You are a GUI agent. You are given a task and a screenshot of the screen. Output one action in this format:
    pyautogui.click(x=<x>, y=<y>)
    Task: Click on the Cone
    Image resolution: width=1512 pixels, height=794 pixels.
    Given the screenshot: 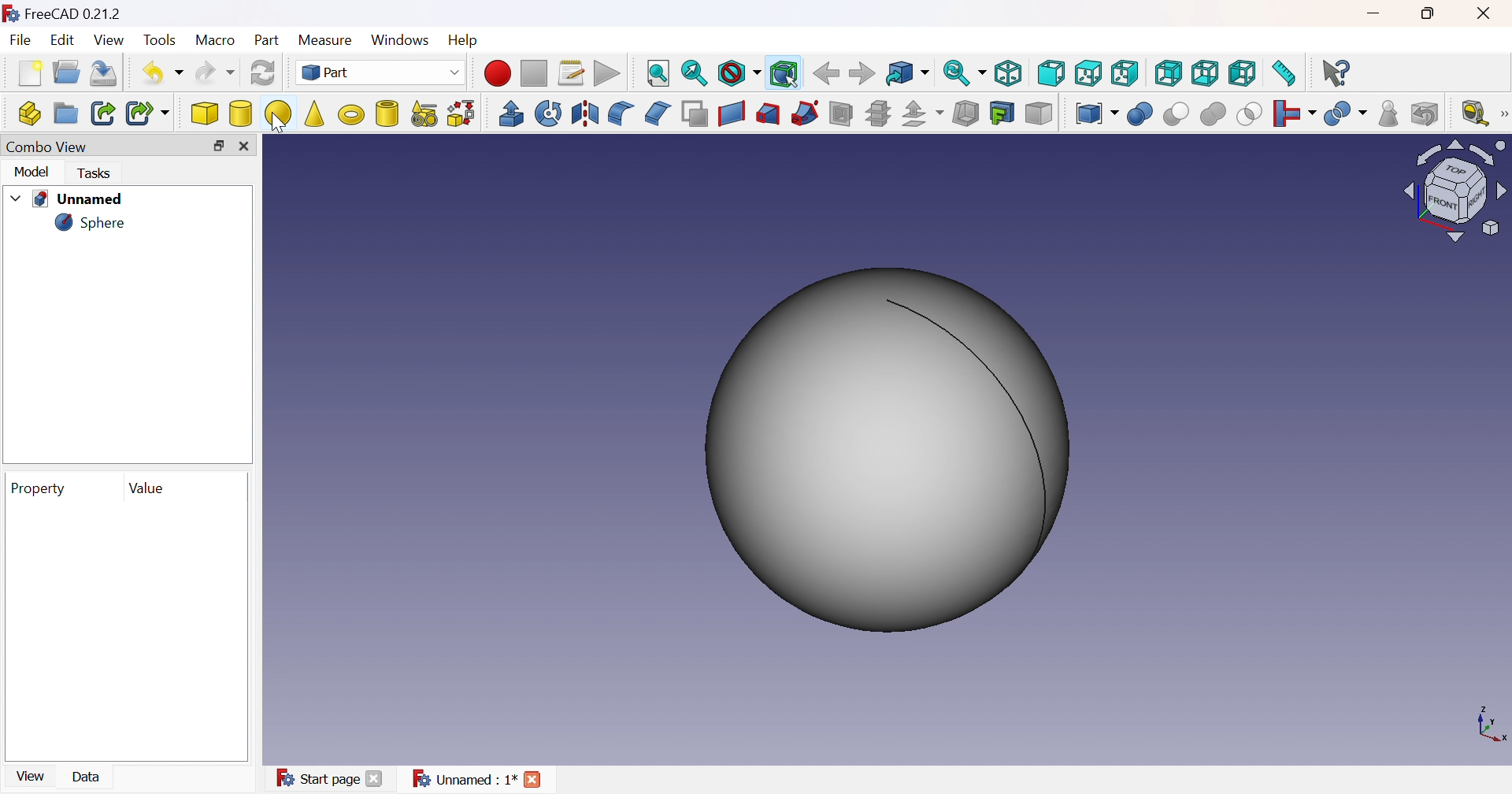 What is the action you would take?
    pyautogui.click(x=317, y=113)
    